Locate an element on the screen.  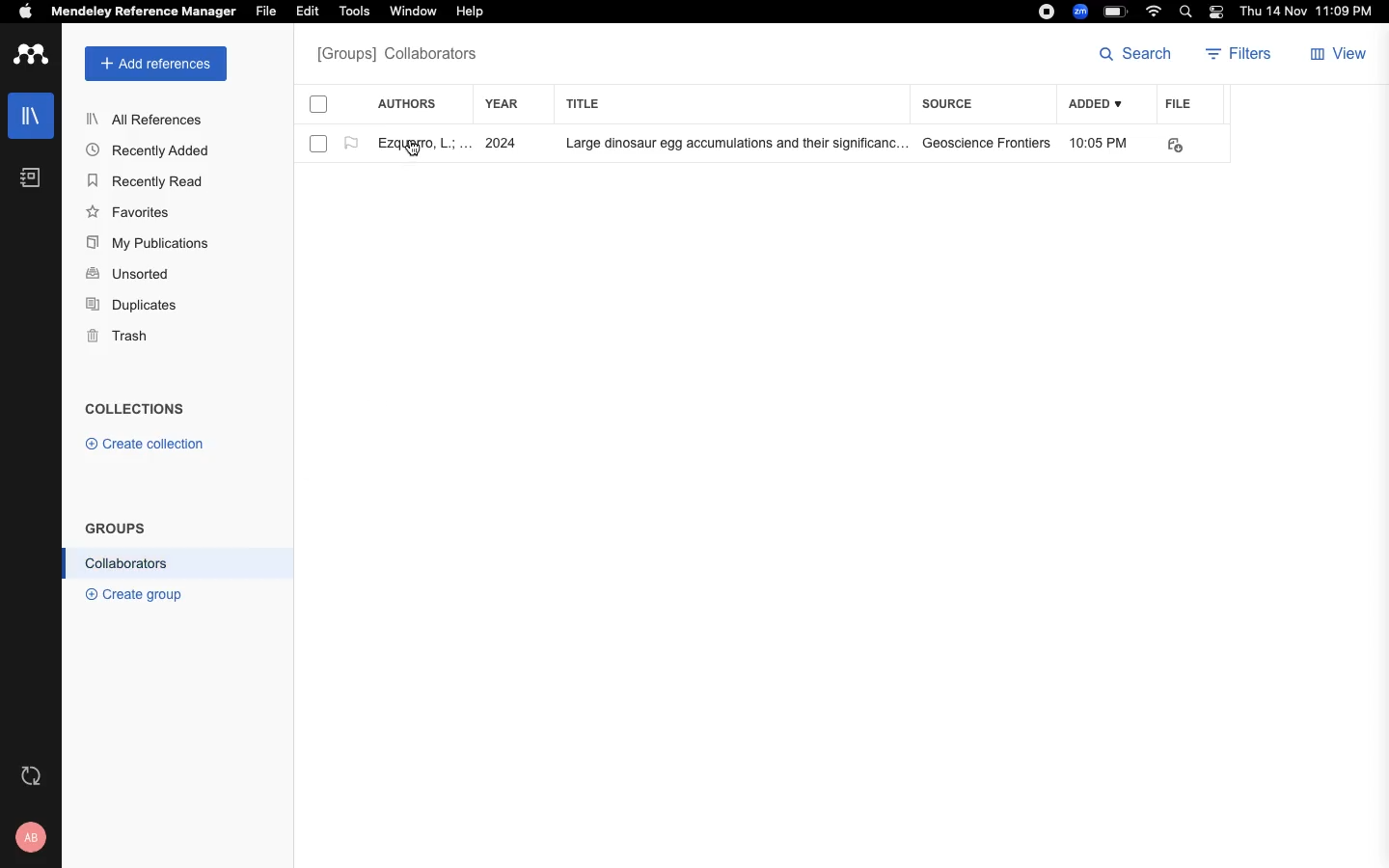
apple logo is located at coordinates (26, 14).